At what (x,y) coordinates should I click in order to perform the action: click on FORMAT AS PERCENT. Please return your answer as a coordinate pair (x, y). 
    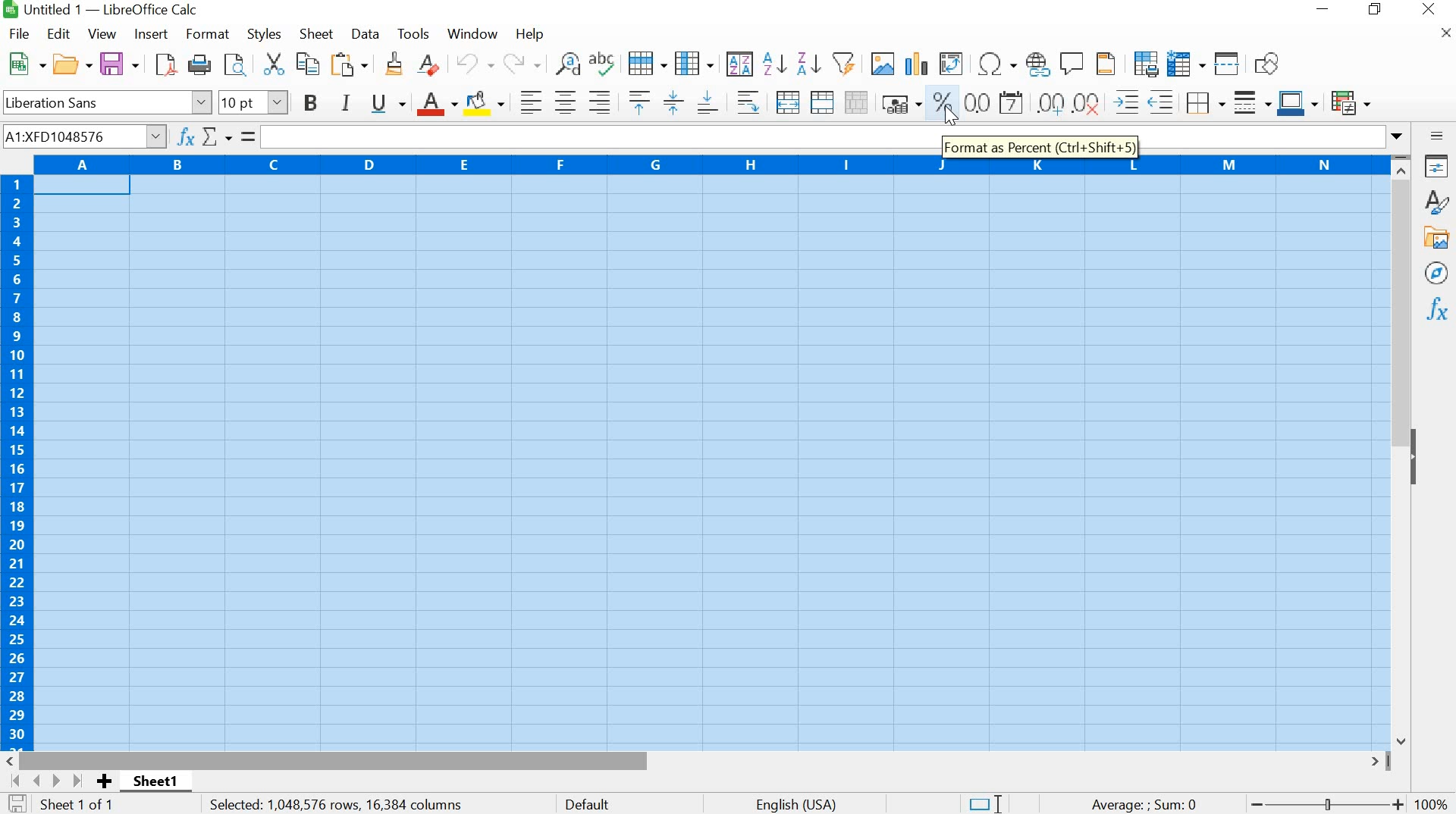
    Looking at the image, I should click on (943, 106).